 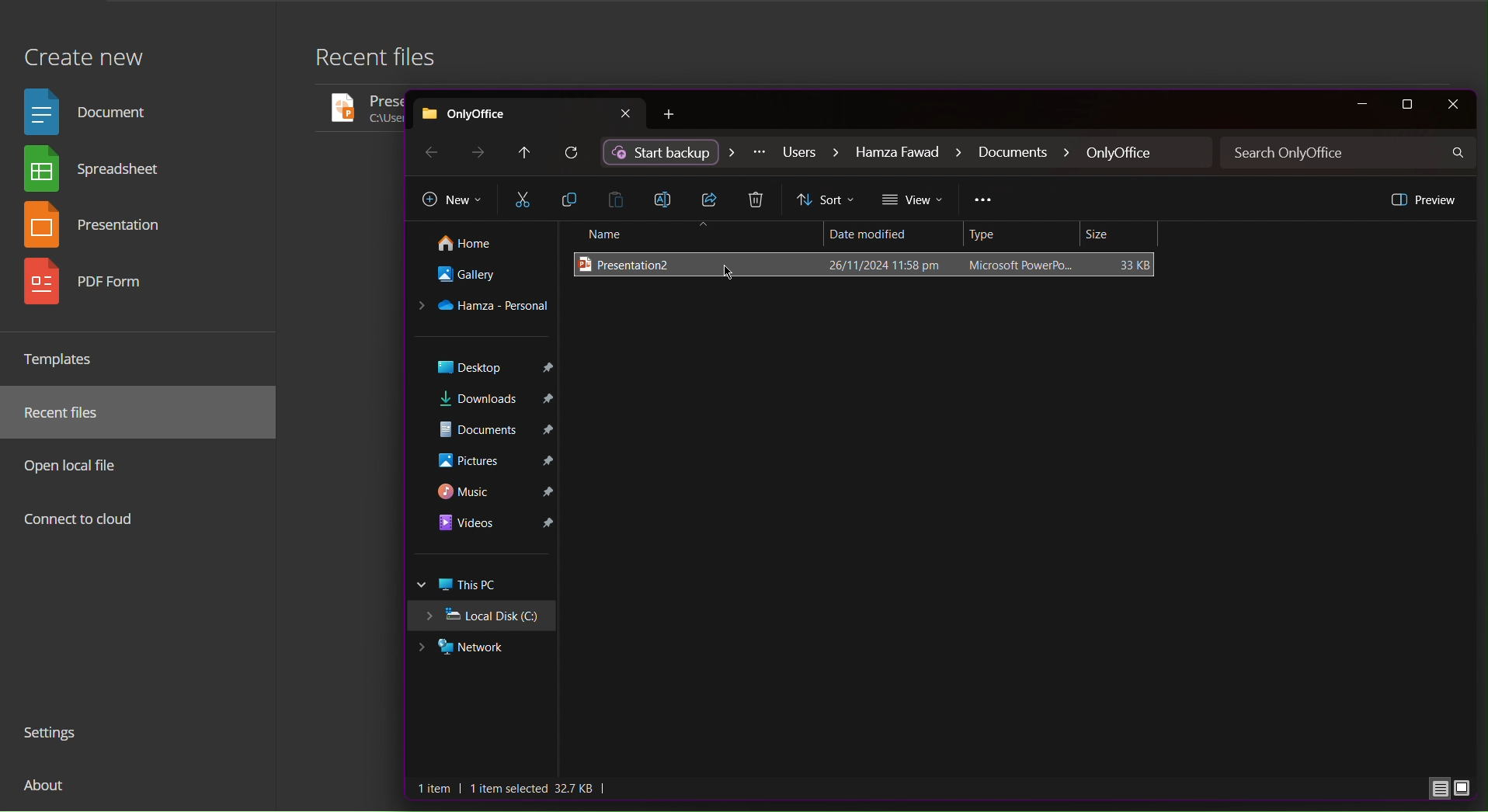 What do you see at coordinates (385, 61) in the screenshot?
I see `Recent files` at bounding box center [385, 61].